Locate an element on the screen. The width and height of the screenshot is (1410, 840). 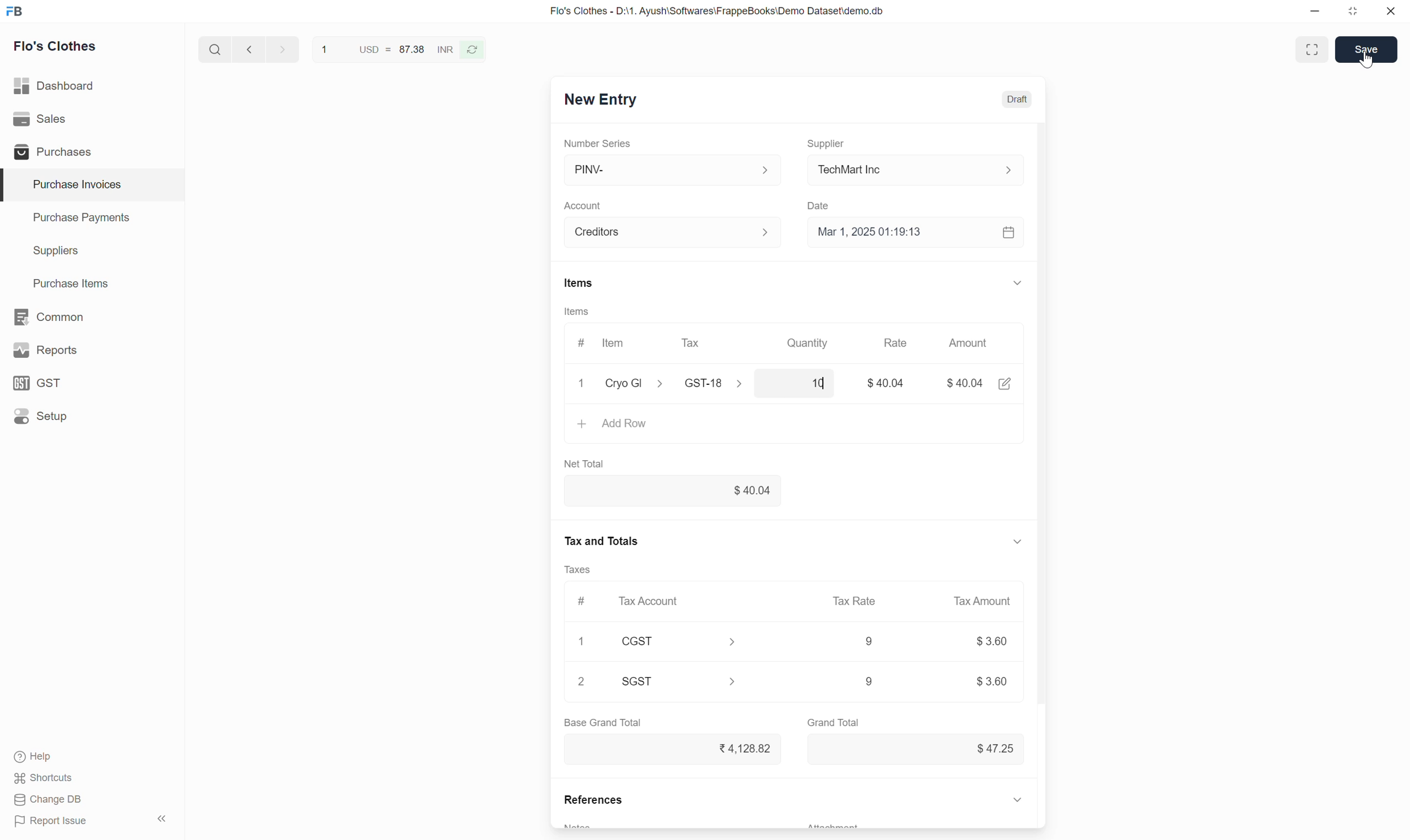
Purchase Payments is located at coordinates (80, 220).